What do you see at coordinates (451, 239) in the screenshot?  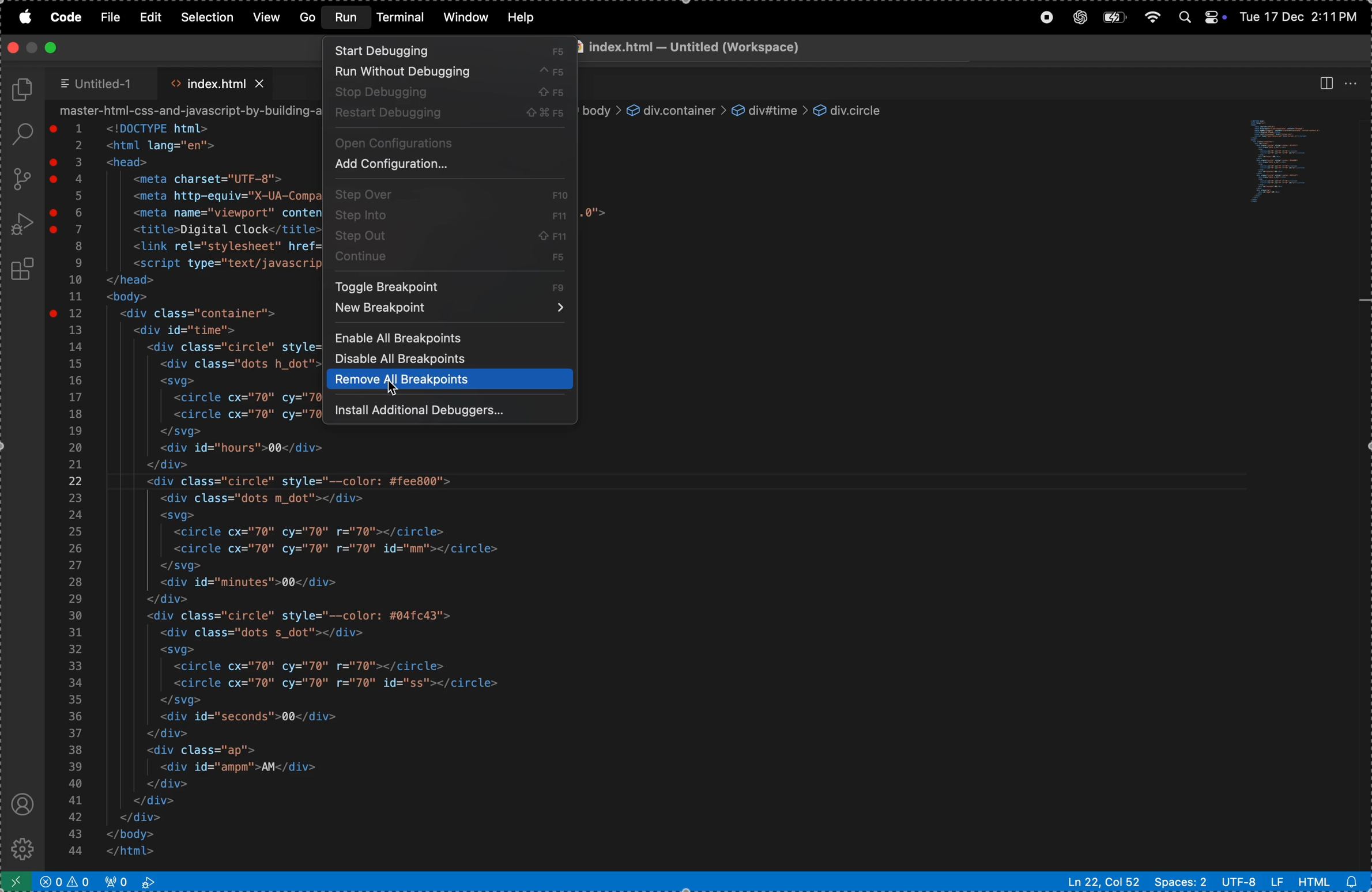 I see `step out` at bounding box center [451, 239].